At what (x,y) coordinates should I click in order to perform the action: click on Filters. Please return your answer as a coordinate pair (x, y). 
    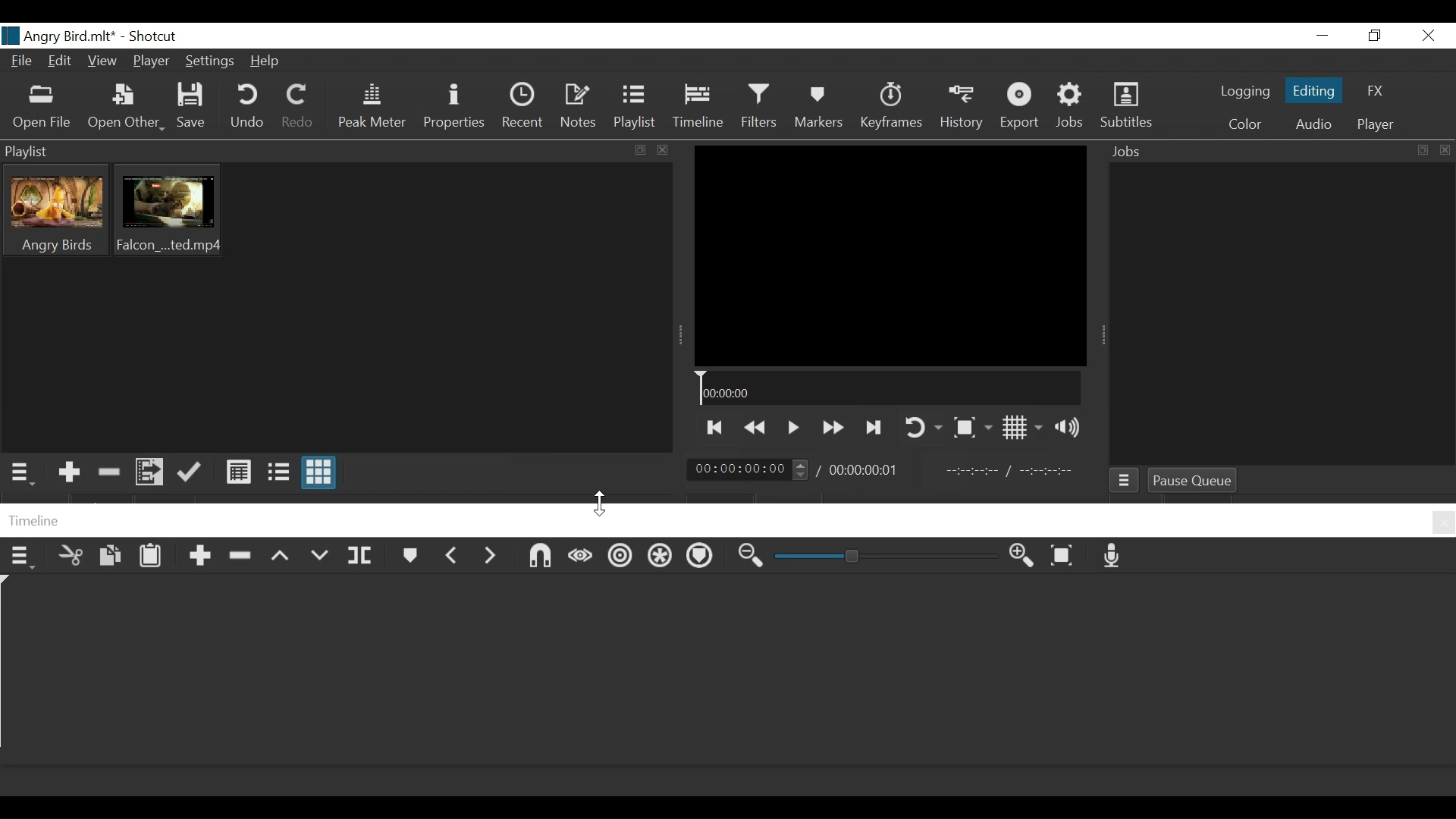
    Looking at the image, I should click on (764, 108).